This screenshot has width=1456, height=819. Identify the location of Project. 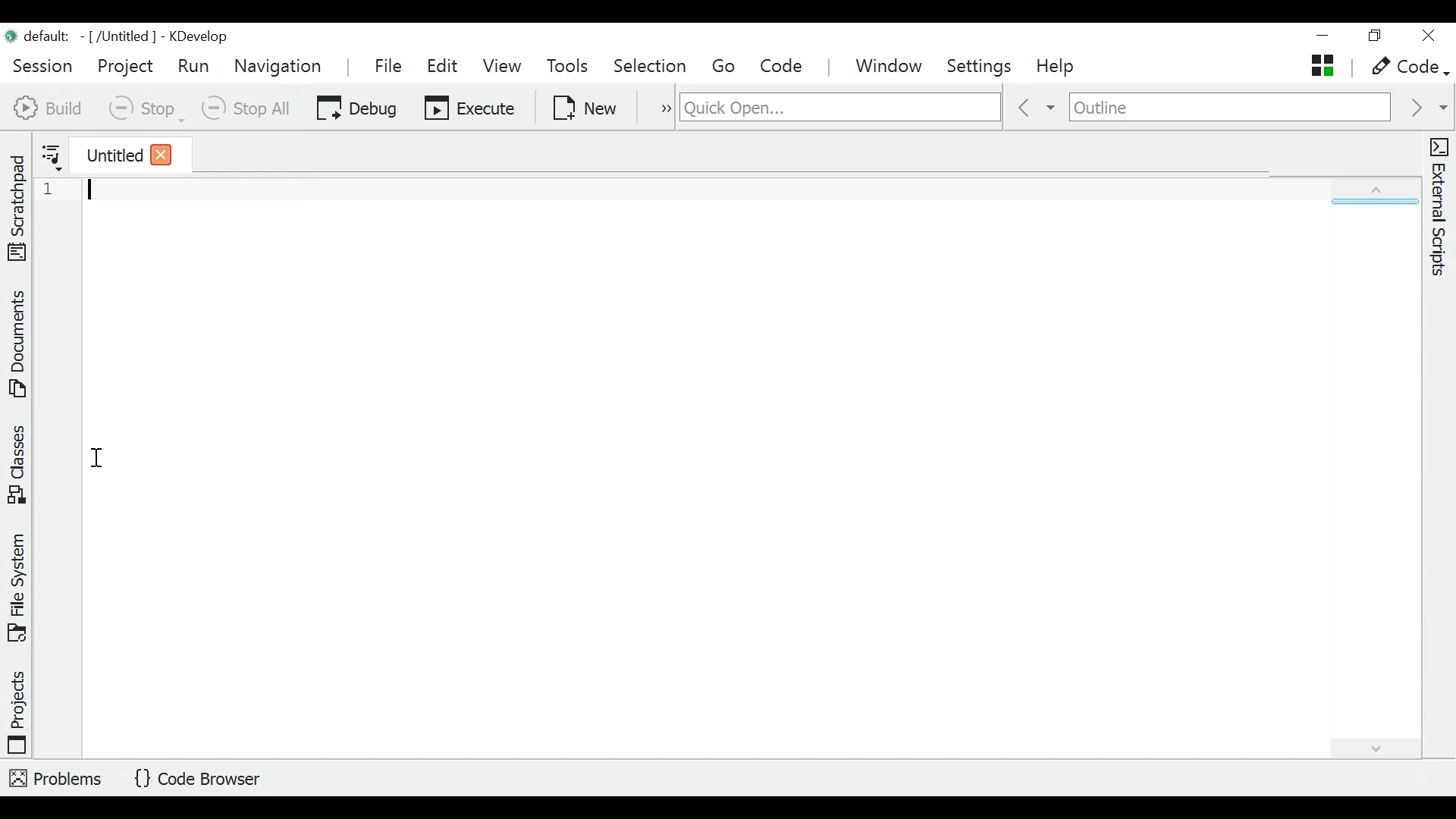
(125, 67).